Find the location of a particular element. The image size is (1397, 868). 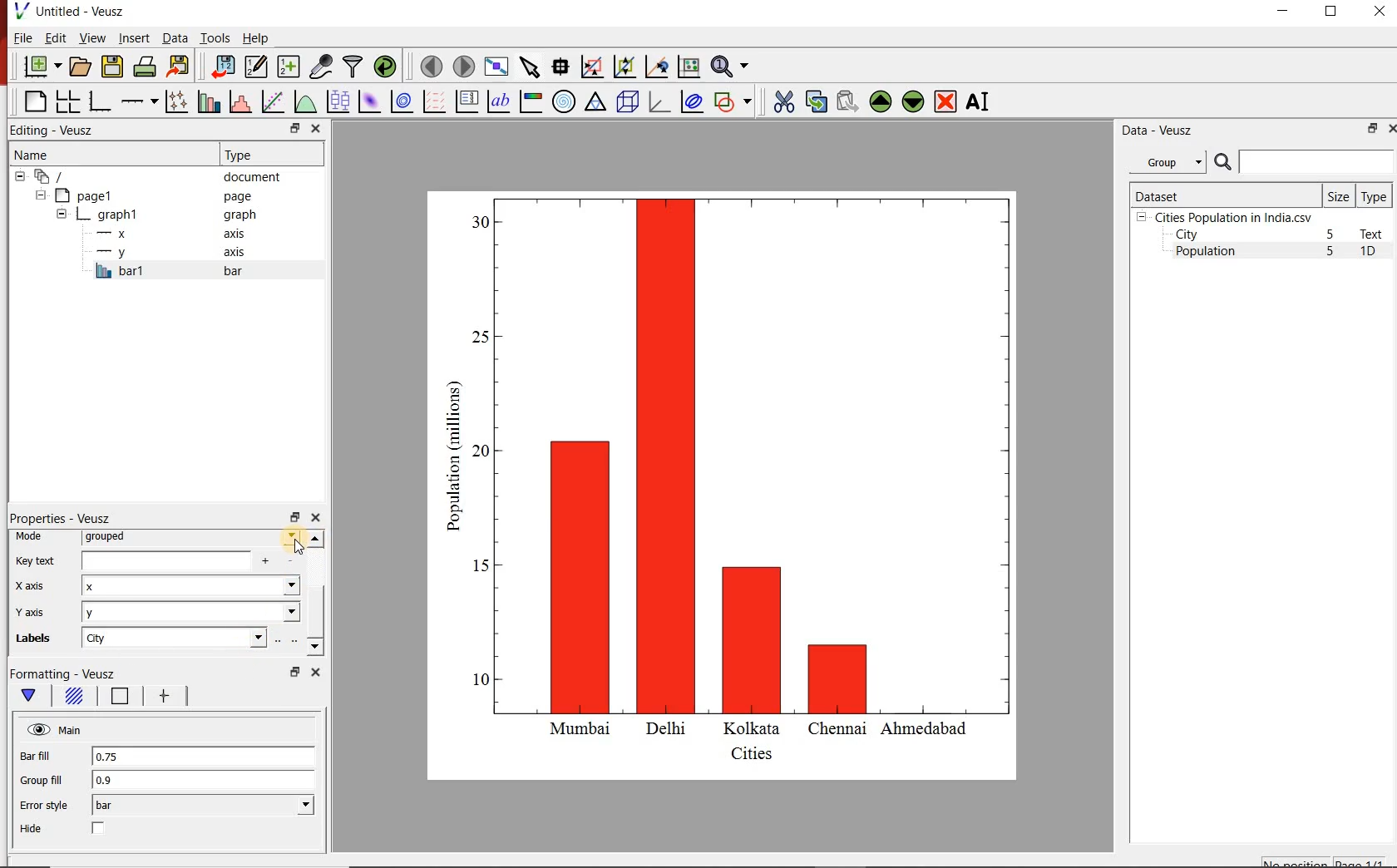

Dataset is located at coordinates (1223, 195).